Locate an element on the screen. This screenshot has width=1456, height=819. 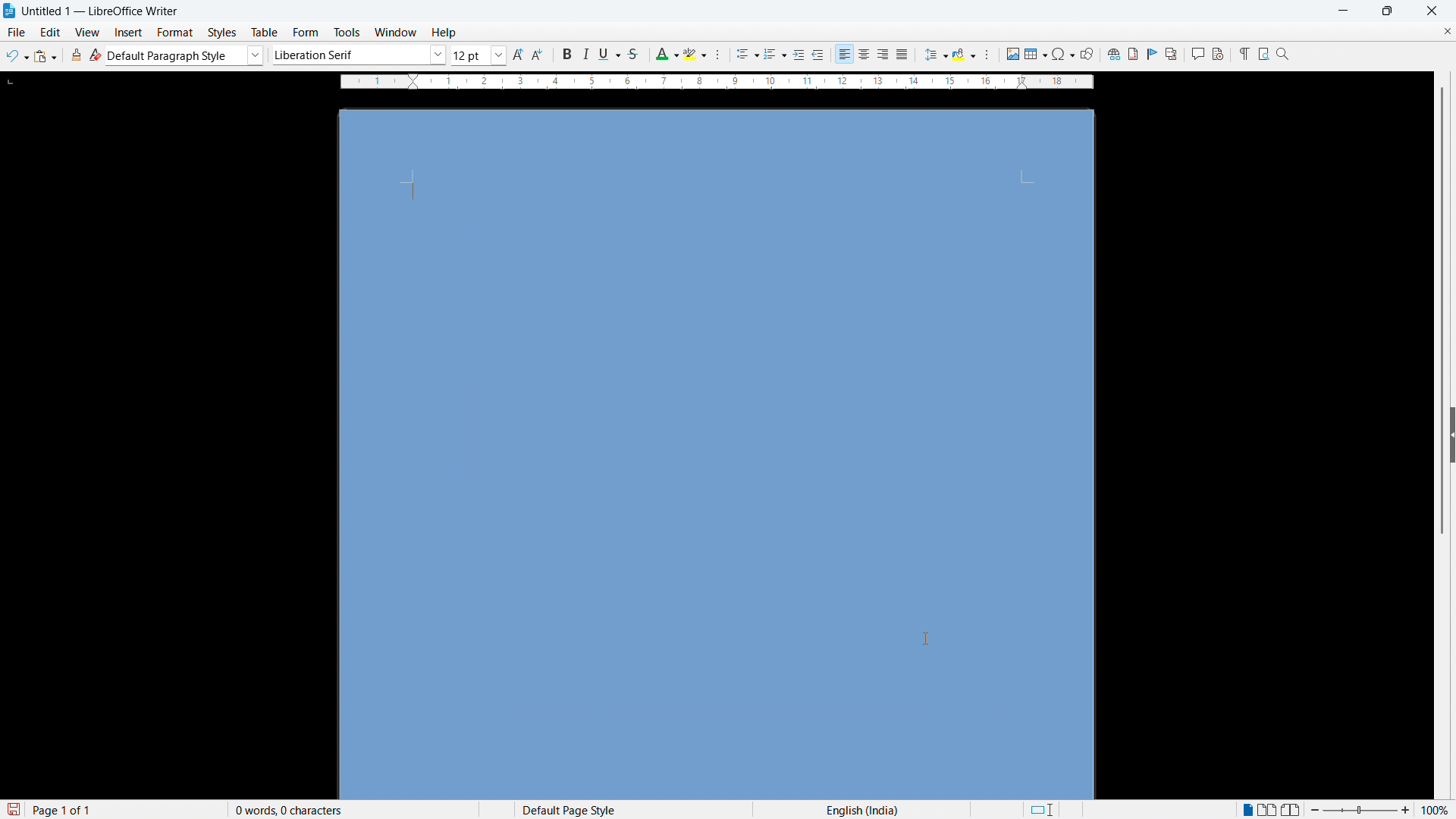
Print preview  is located at coordinates (1263, 52).